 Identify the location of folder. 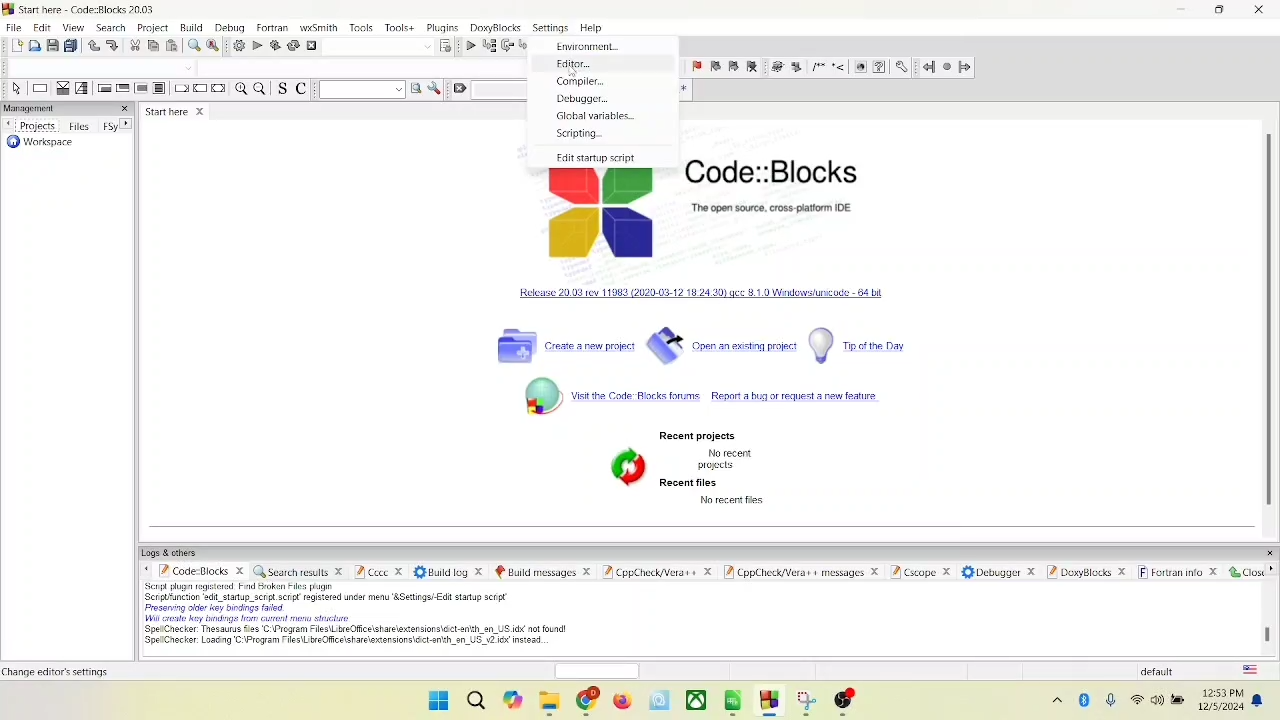
(547, 704).